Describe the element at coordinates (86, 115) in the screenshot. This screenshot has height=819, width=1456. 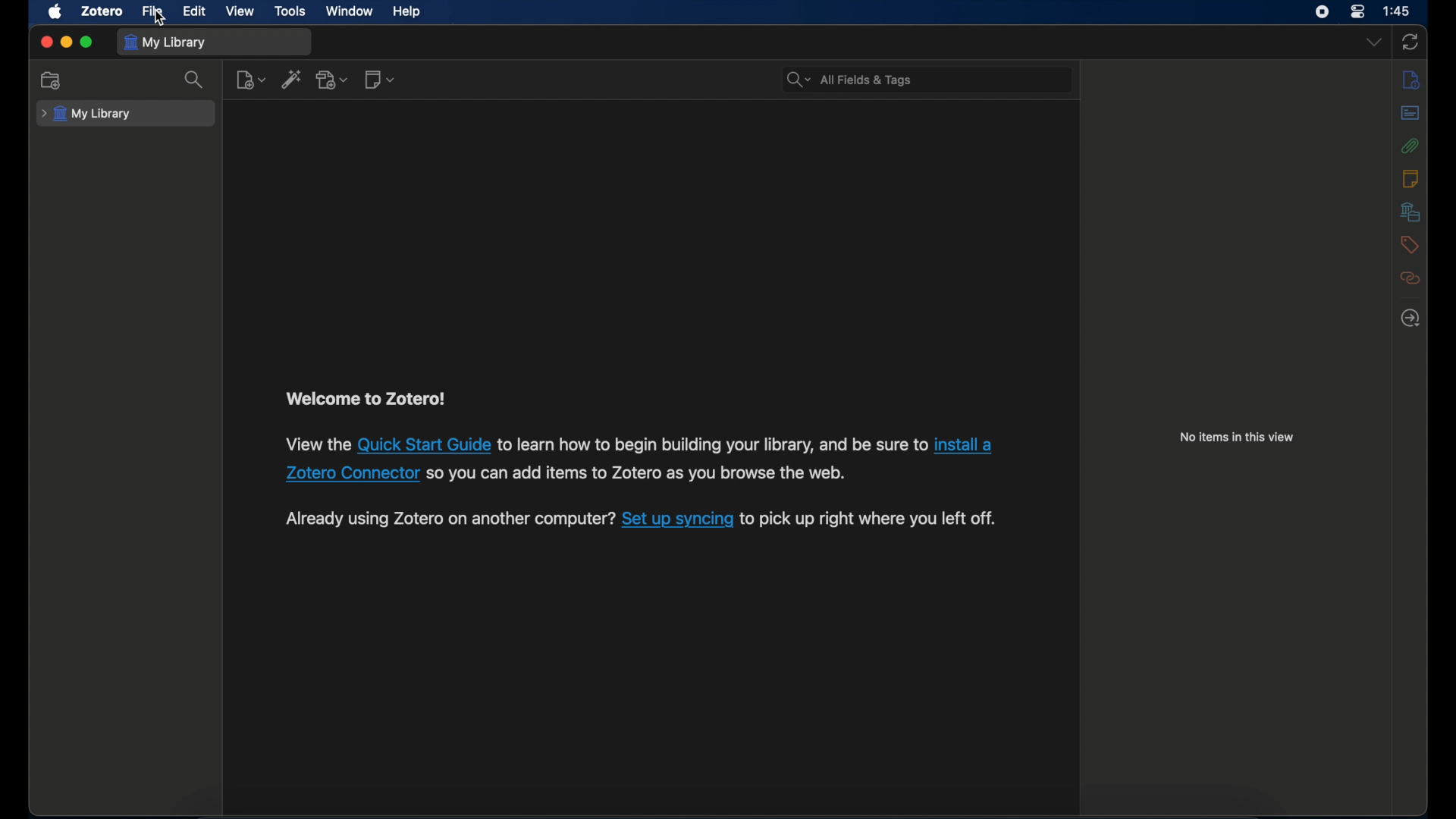
I see `my library` at that location.